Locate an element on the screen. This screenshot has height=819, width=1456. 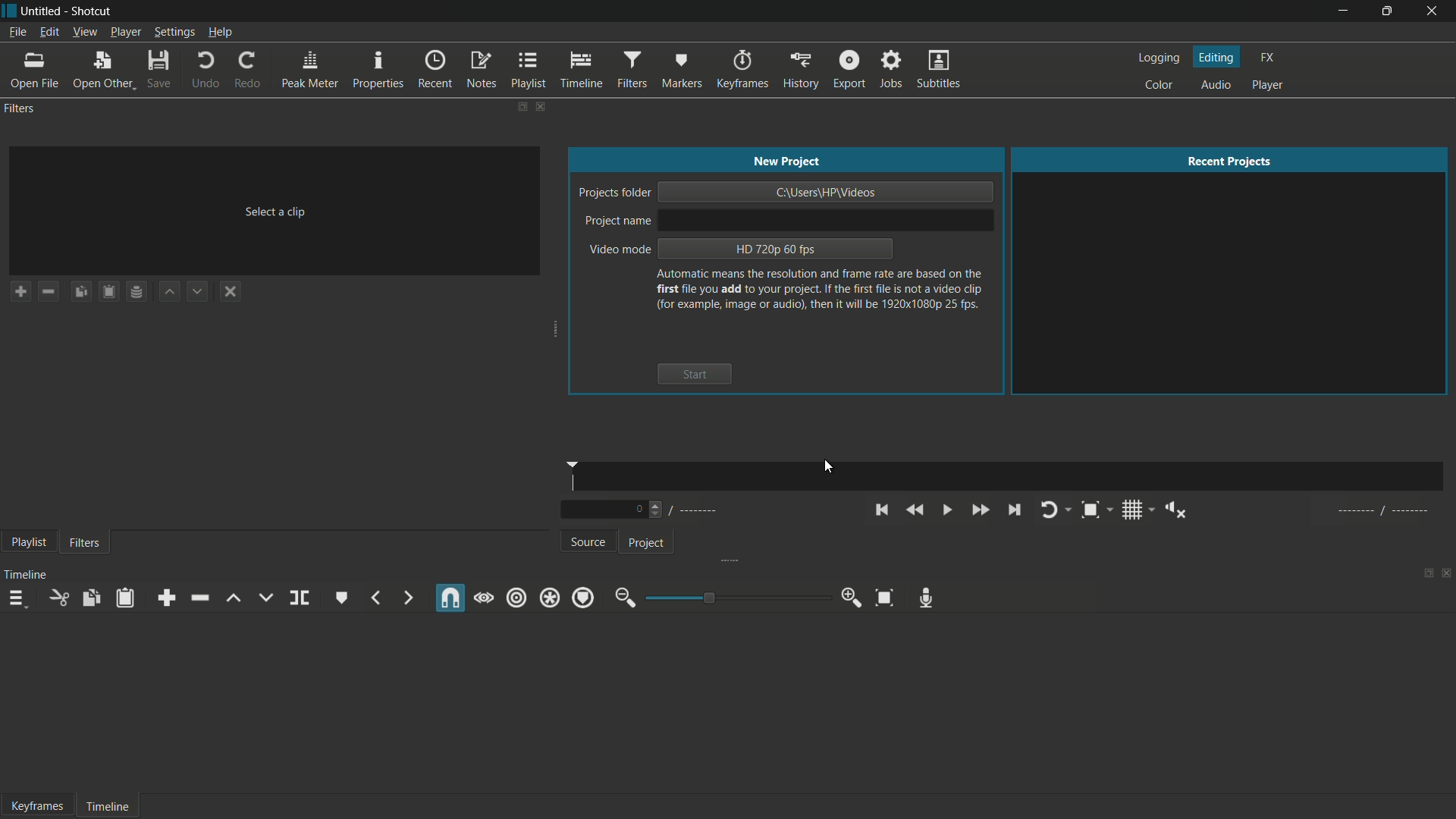
zoom in is located at coordinates (854, 598).